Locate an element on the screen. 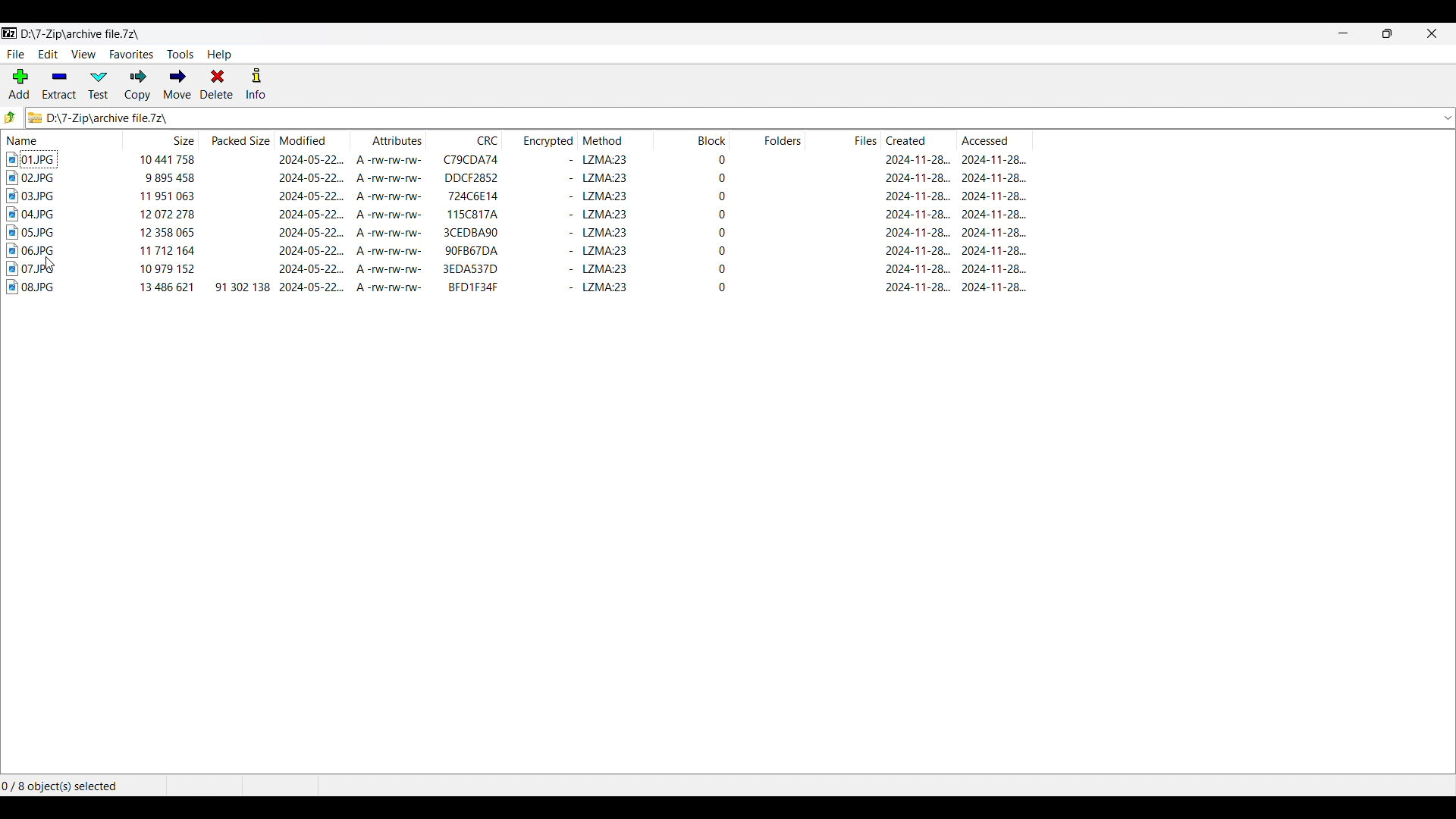  Logo and location of current folder changed is located at coordinates (730, 118).